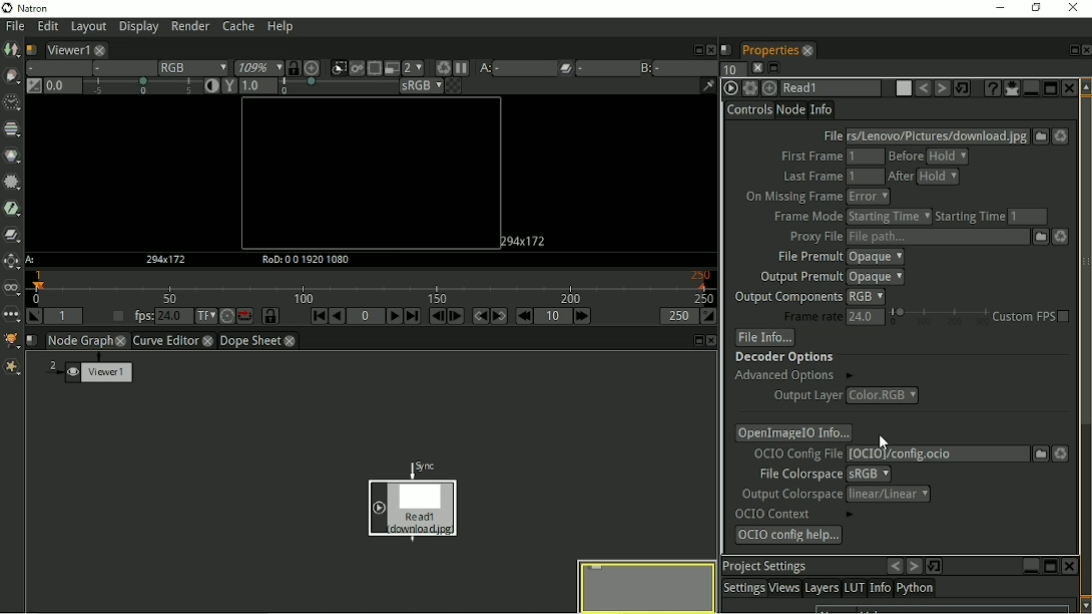  I want to click on Current frame, so click(366, 318).